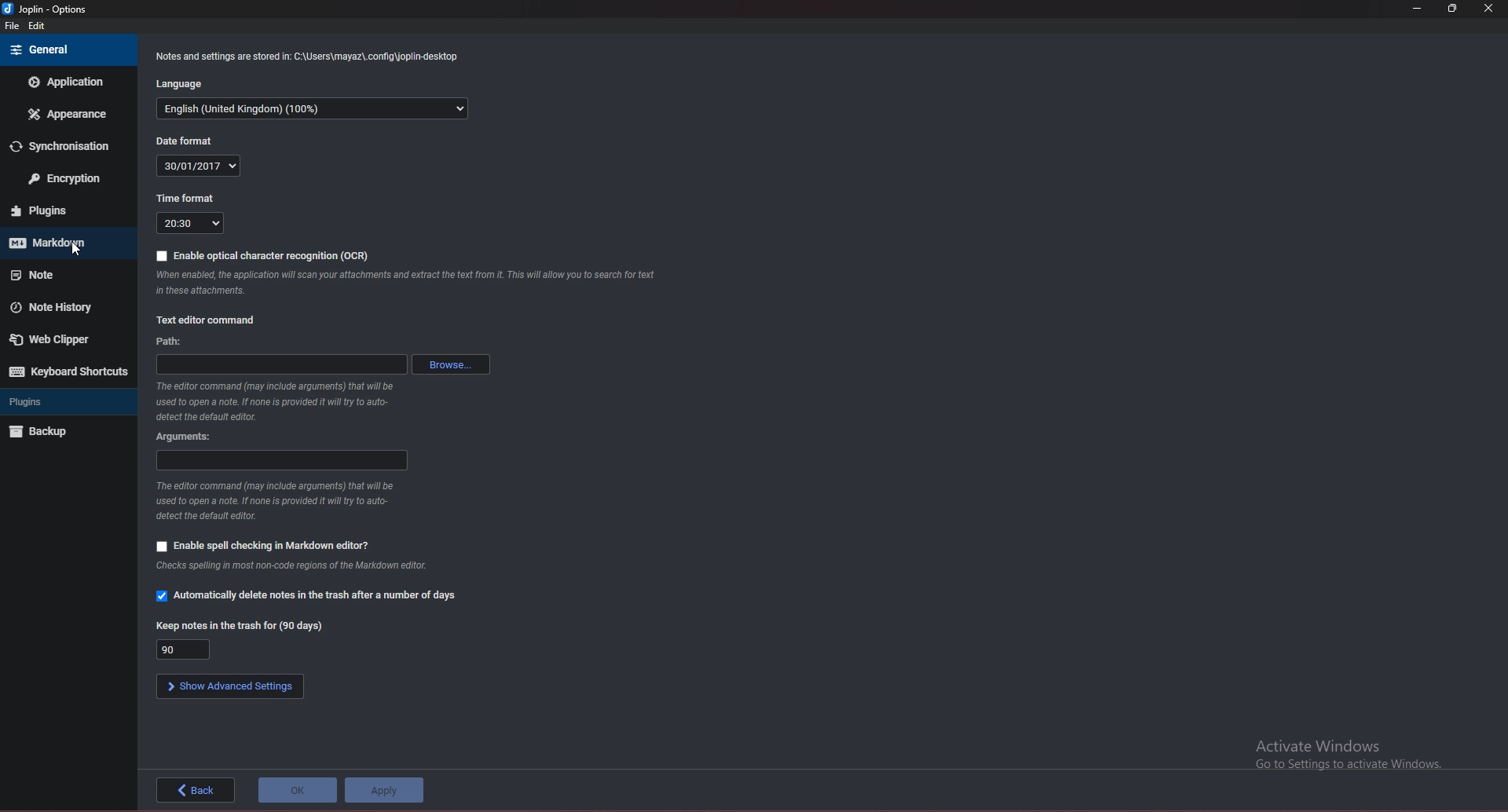 The height and width of the screenshot is (812, 1508). What do you see at coordinates (187, 199) in the screenshot?
I see `time format` at bounding box center [187, 199].